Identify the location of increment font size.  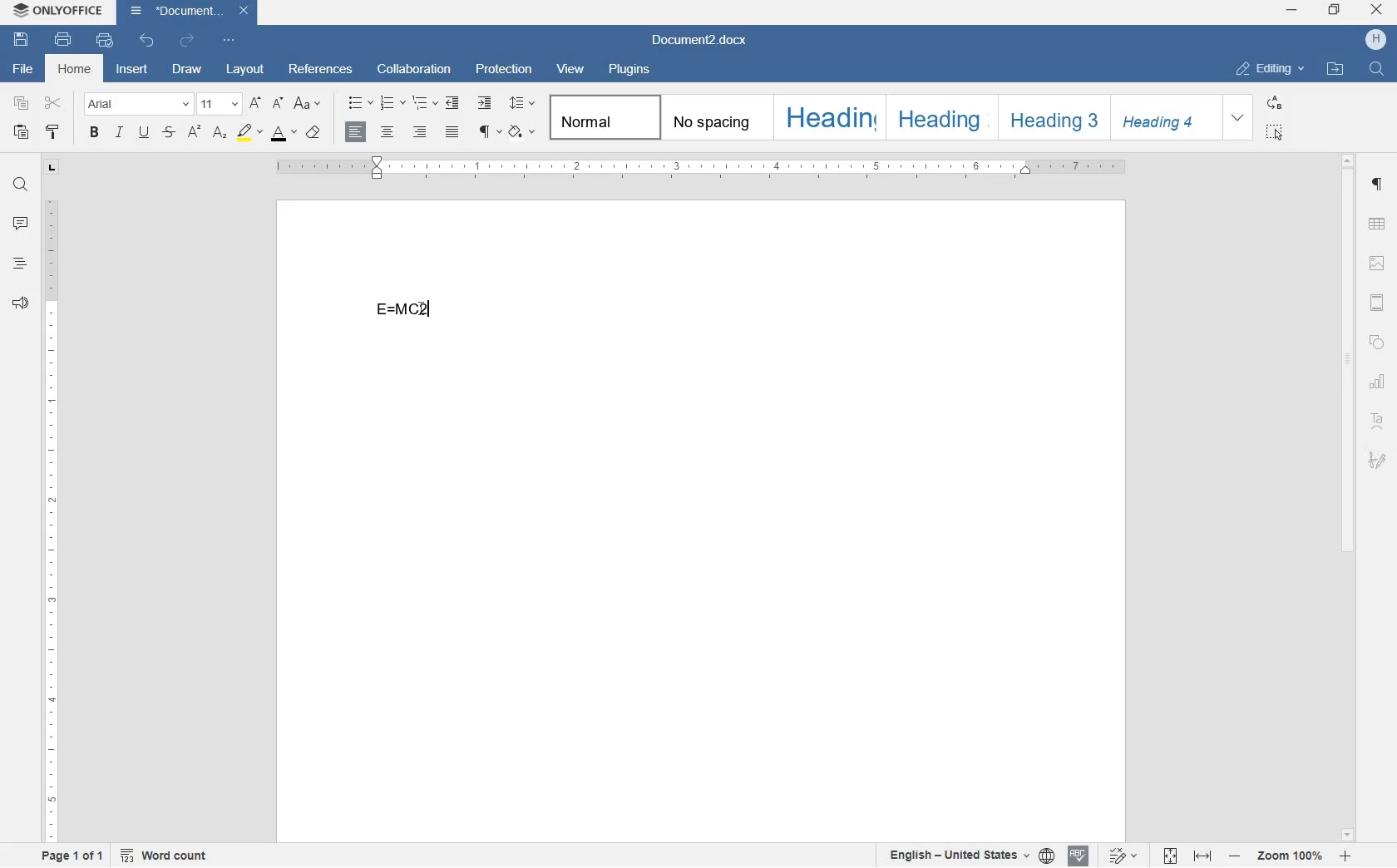
(254, 104).